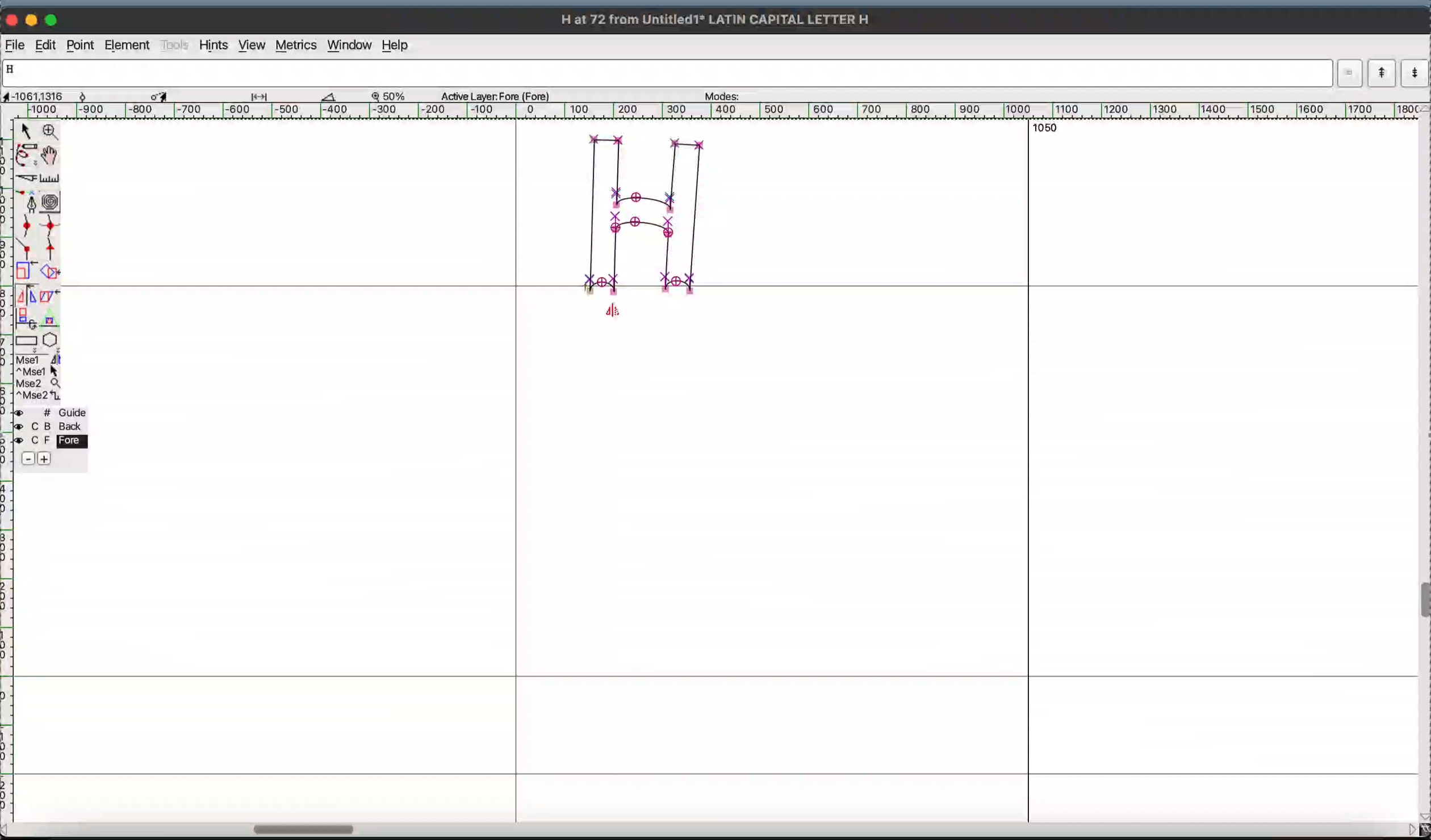  Describe the element at coordinates (54, 20) in the screenshot. I see `maximize` at that location.